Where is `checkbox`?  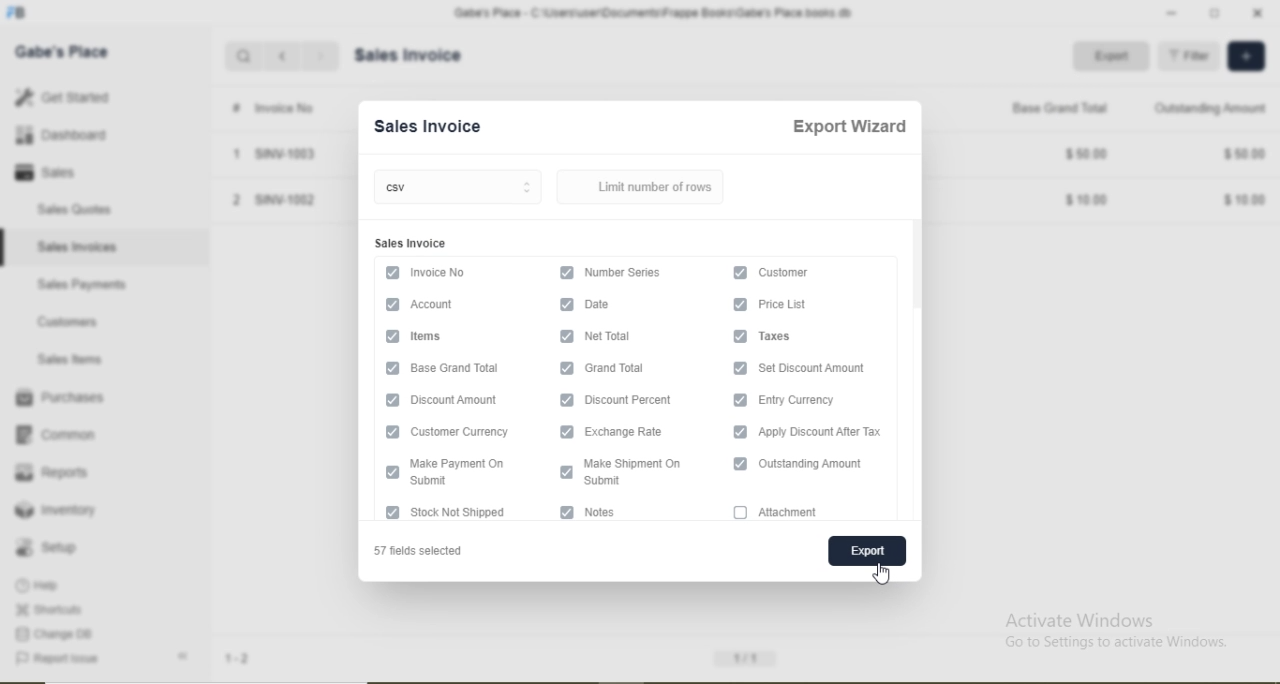
checkbox is located at coordinates (389, 304).